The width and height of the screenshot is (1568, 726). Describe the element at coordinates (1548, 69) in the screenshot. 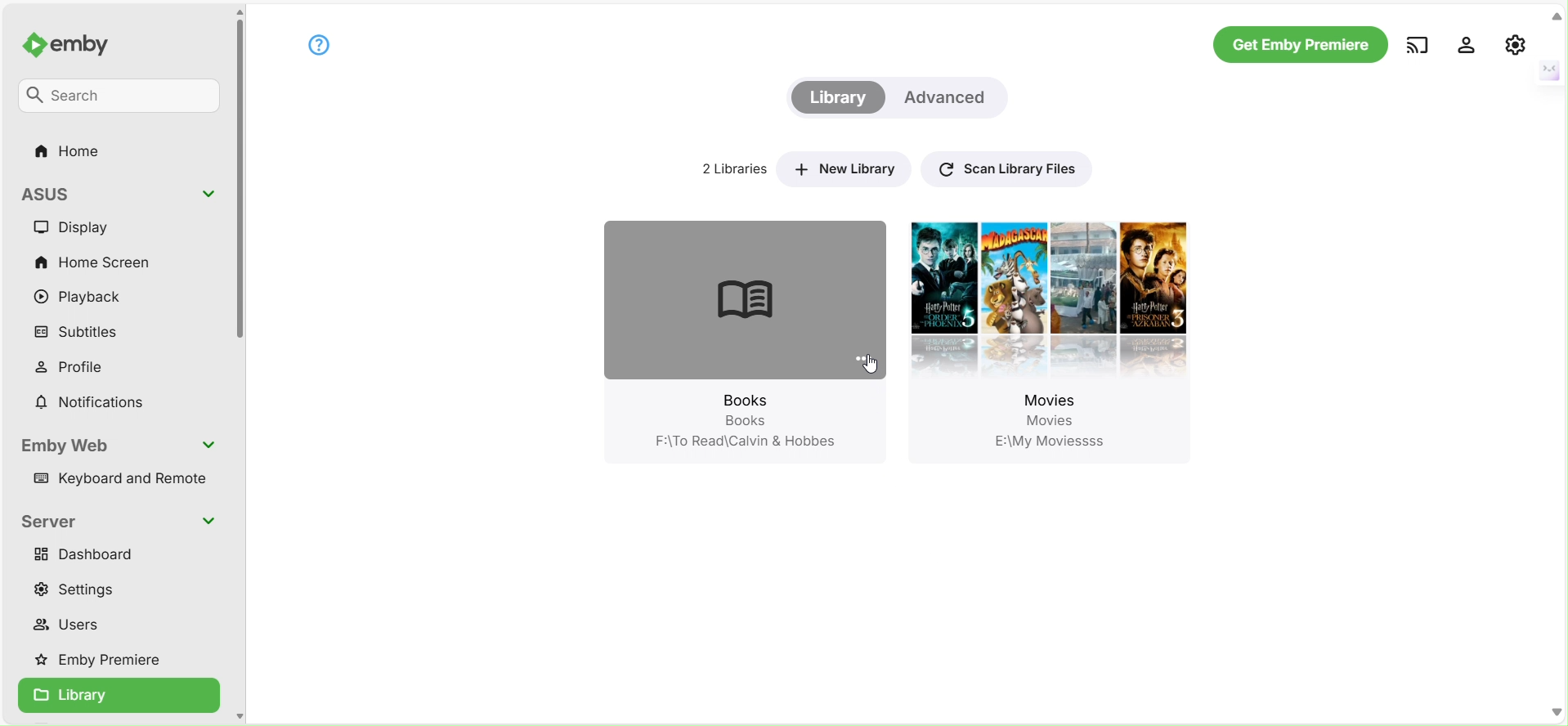

I see `collapse` at that location.